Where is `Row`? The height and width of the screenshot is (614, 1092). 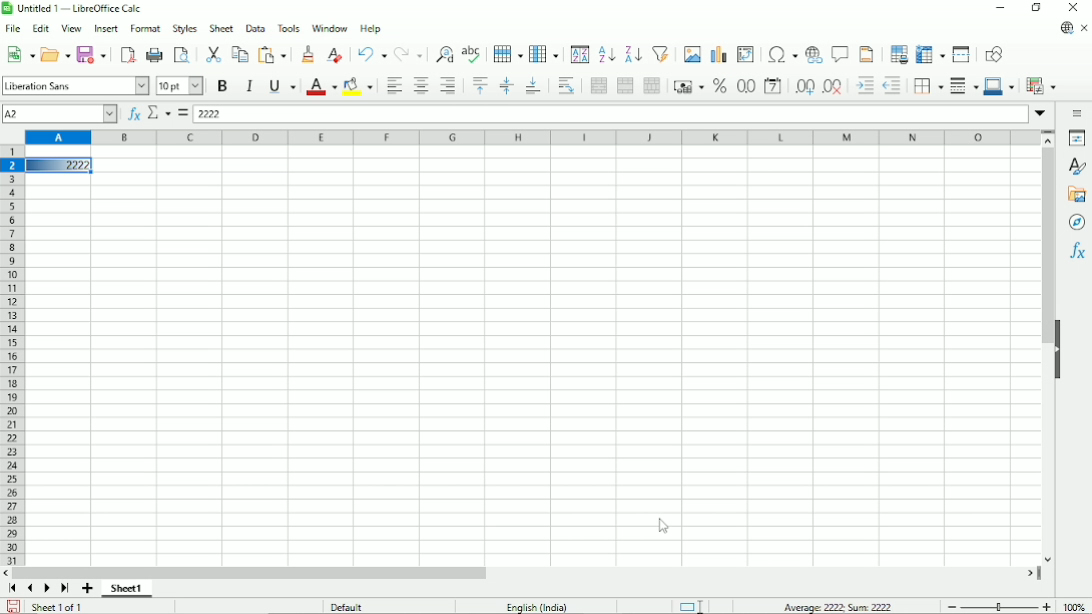 Row is located at coordinates (508, 54).